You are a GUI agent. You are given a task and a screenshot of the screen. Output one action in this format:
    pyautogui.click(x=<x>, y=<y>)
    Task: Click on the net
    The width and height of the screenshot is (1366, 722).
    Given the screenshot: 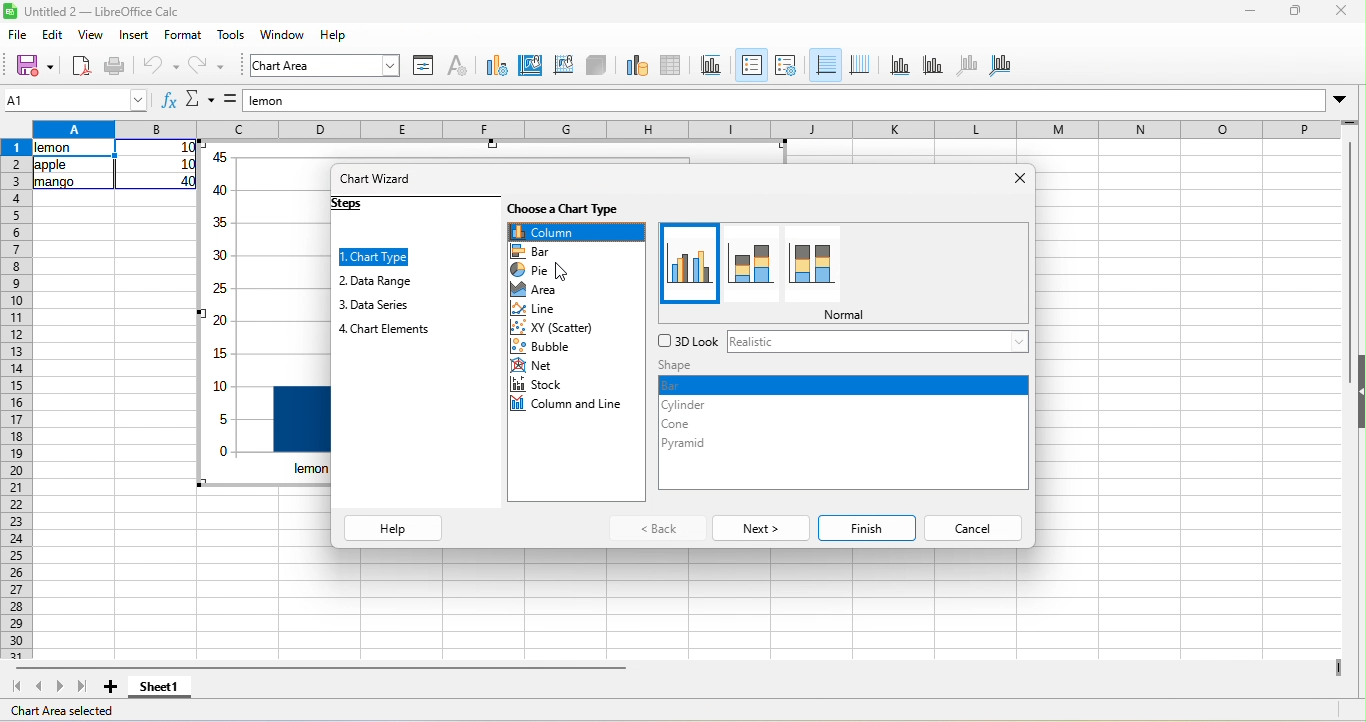 What is the action you would take?
    pyautogui.click(x=536, y=366)
    